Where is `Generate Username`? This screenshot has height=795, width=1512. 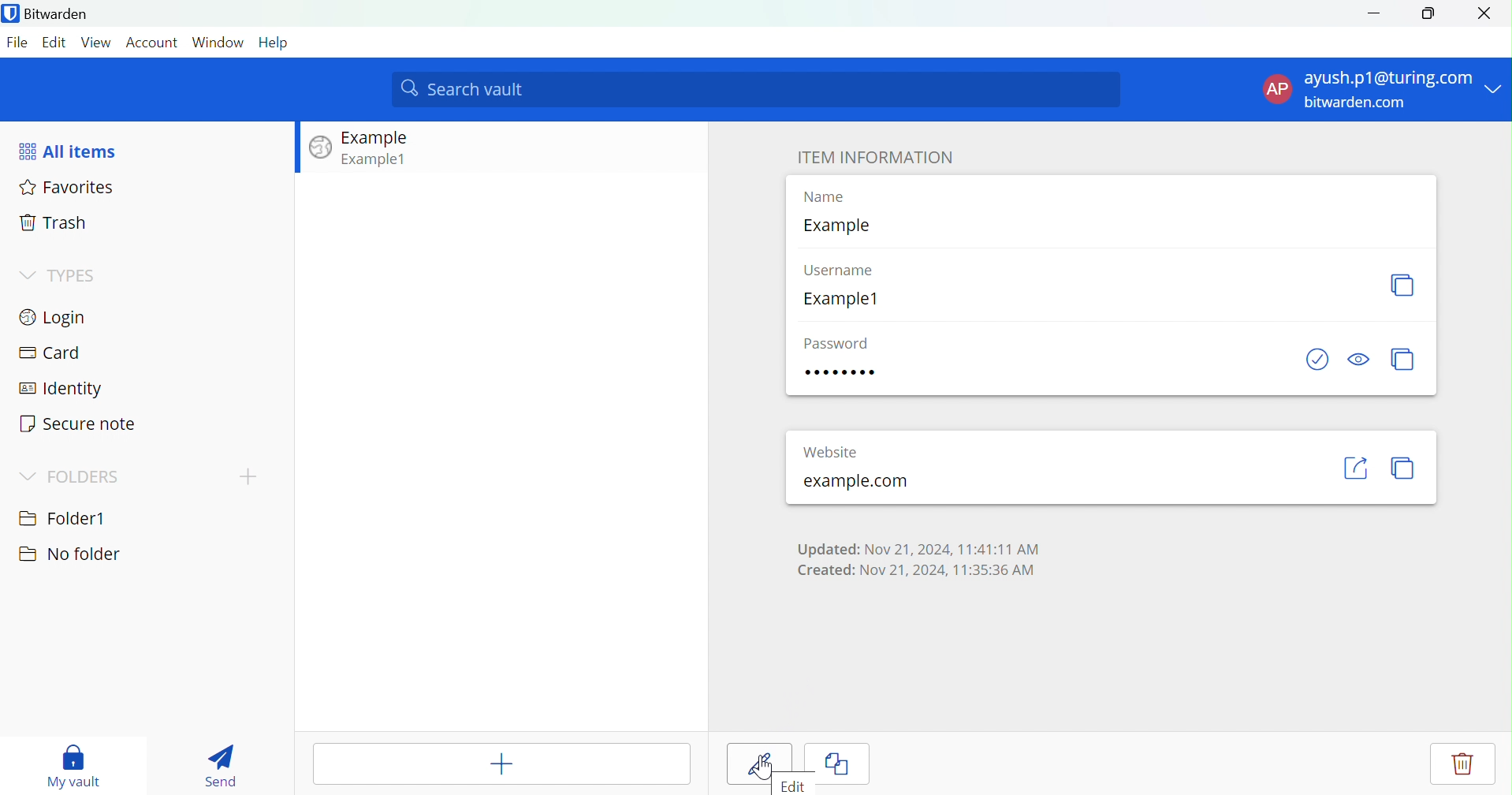 Generate Username is located at coordinates (1402, 286).